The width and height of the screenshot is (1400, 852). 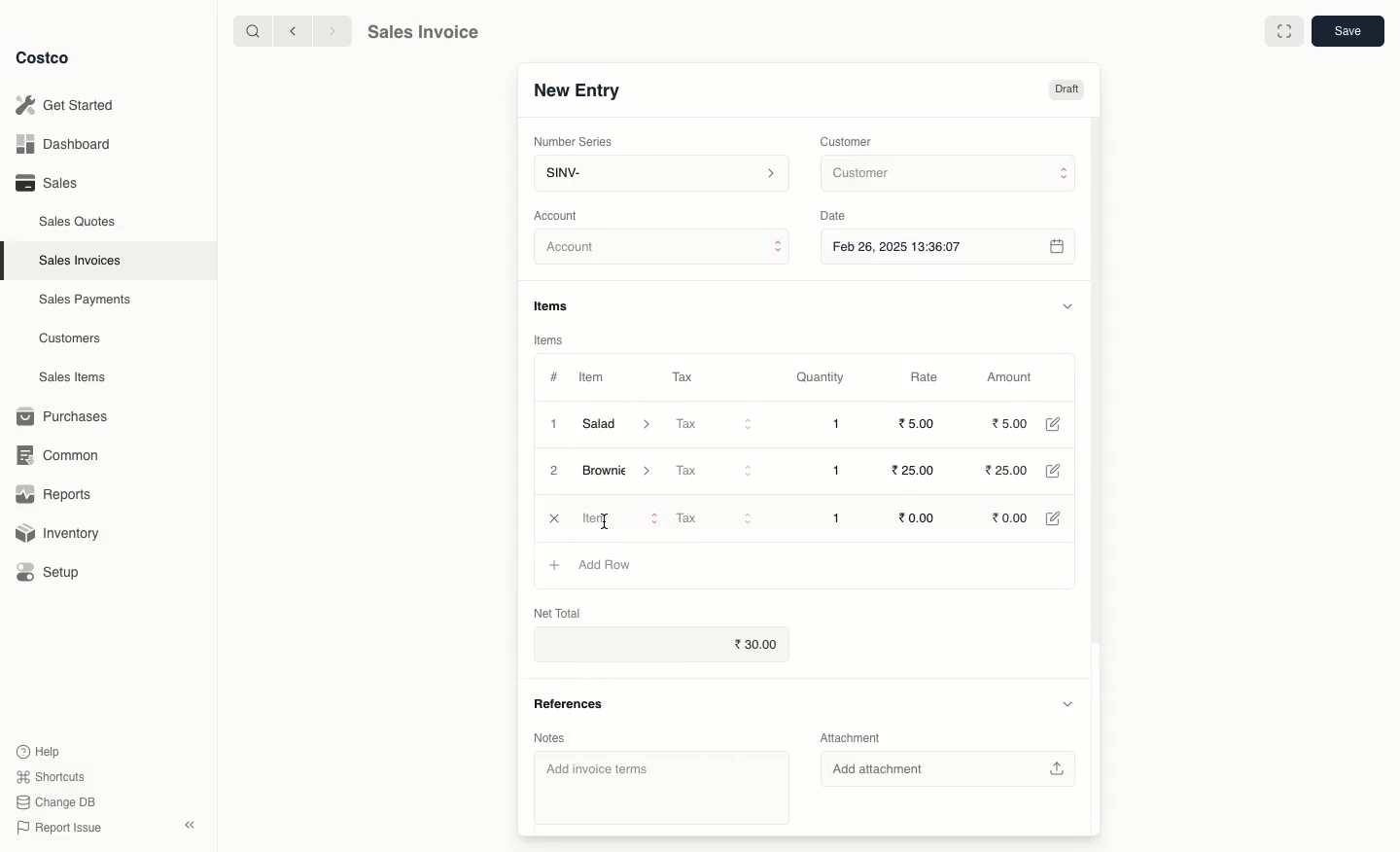 What do you see at coordinates (570, 142) in the screenshot?
I see `‘Number Series` at bounding box center [570, 142].